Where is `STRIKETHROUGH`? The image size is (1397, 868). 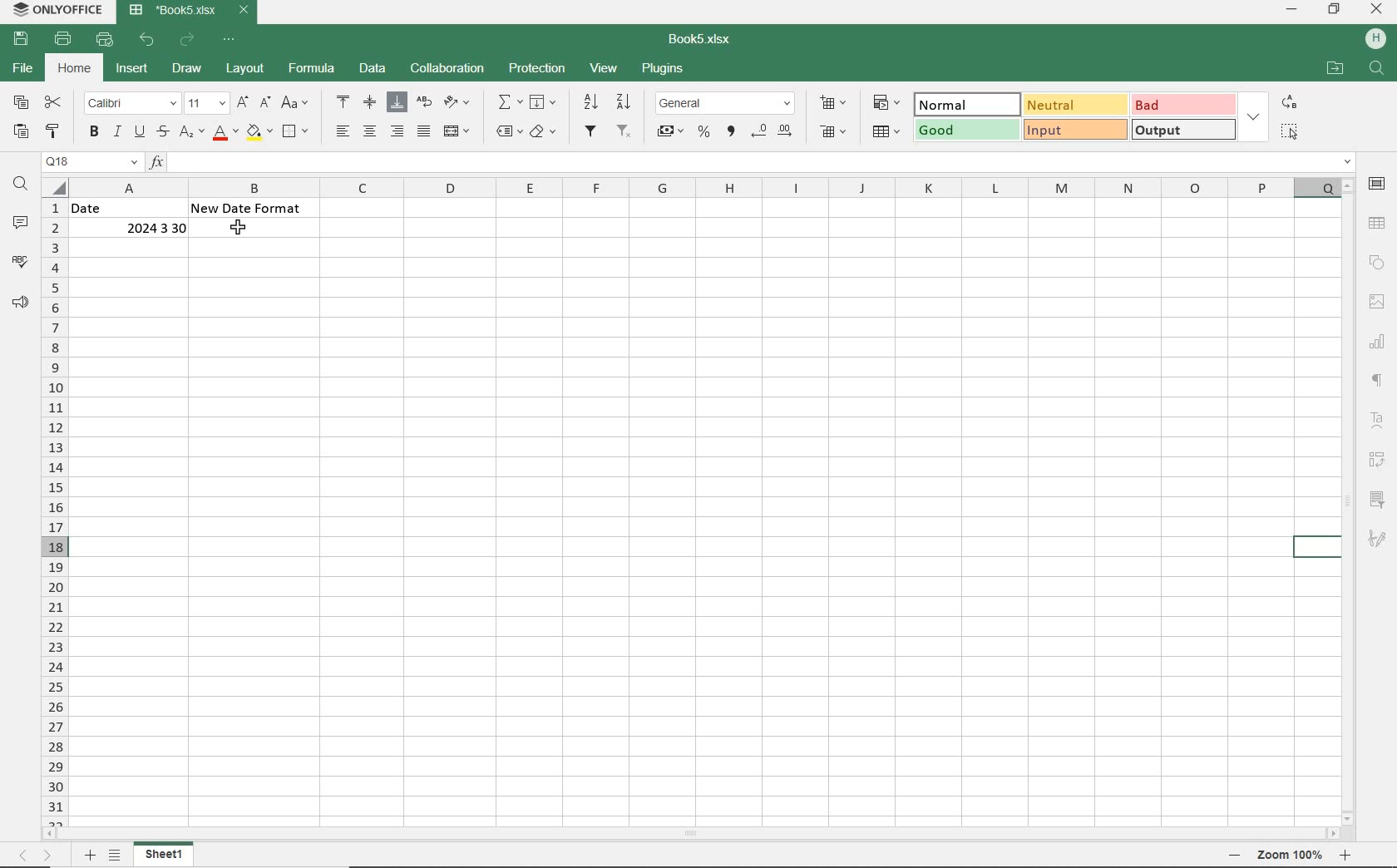 STRIKETHROUGH is located at coordinates (163, 133).